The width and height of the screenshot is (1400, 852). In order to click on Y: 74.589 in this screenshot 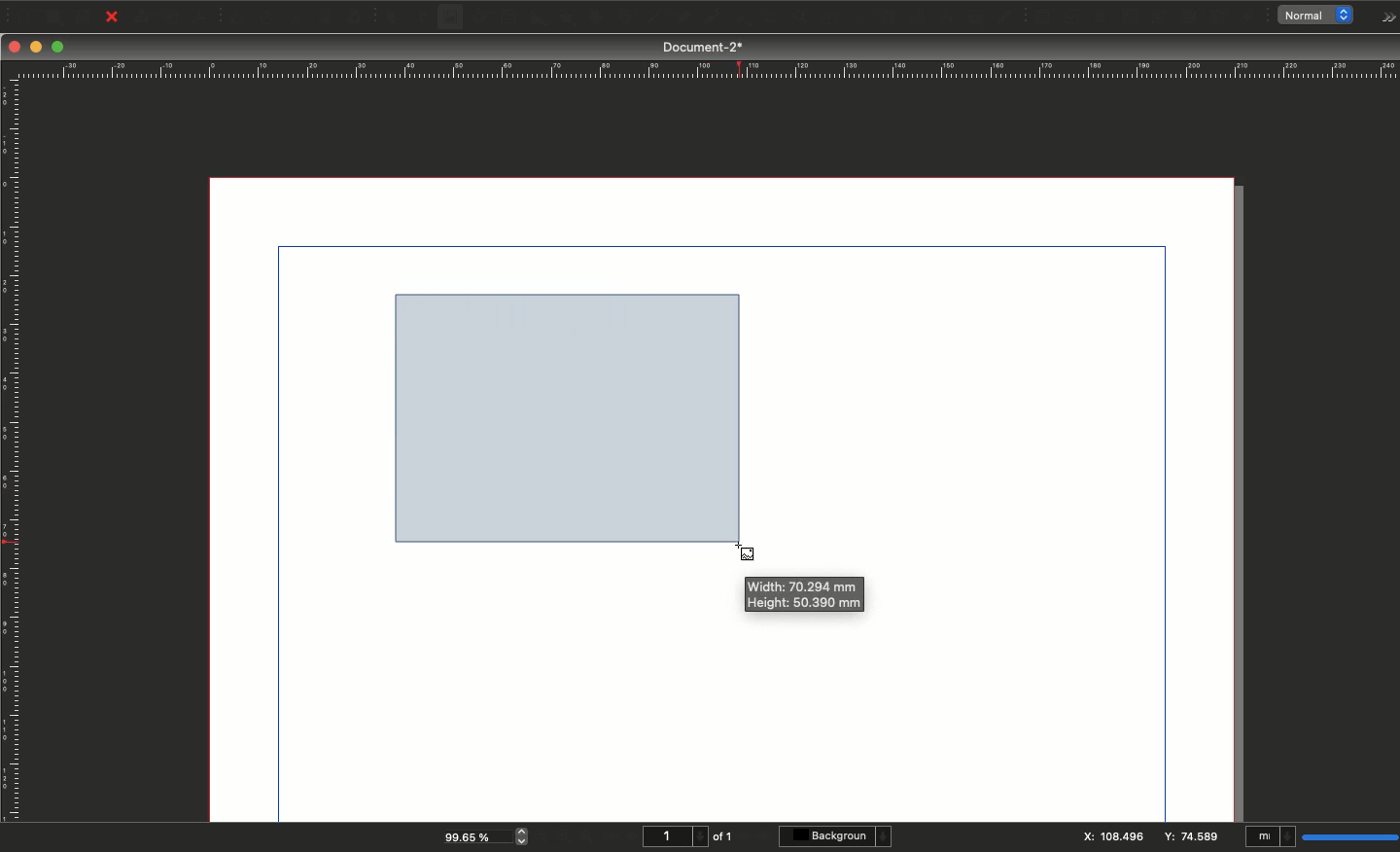, I will do `click(1195, 837)`.